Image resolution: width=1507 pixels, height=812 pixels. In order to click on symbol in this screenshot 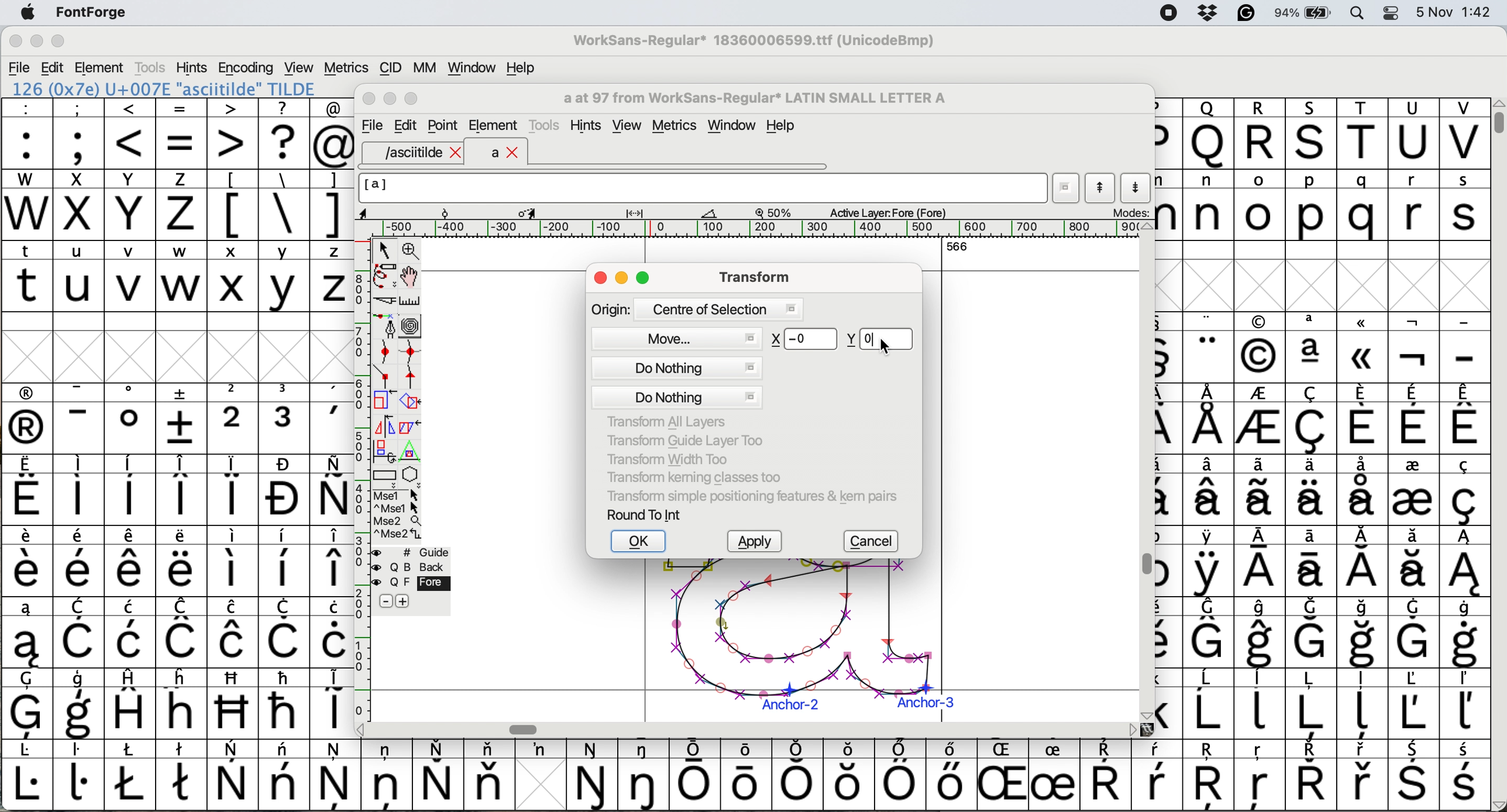, I will do `click(1363, 418)`.